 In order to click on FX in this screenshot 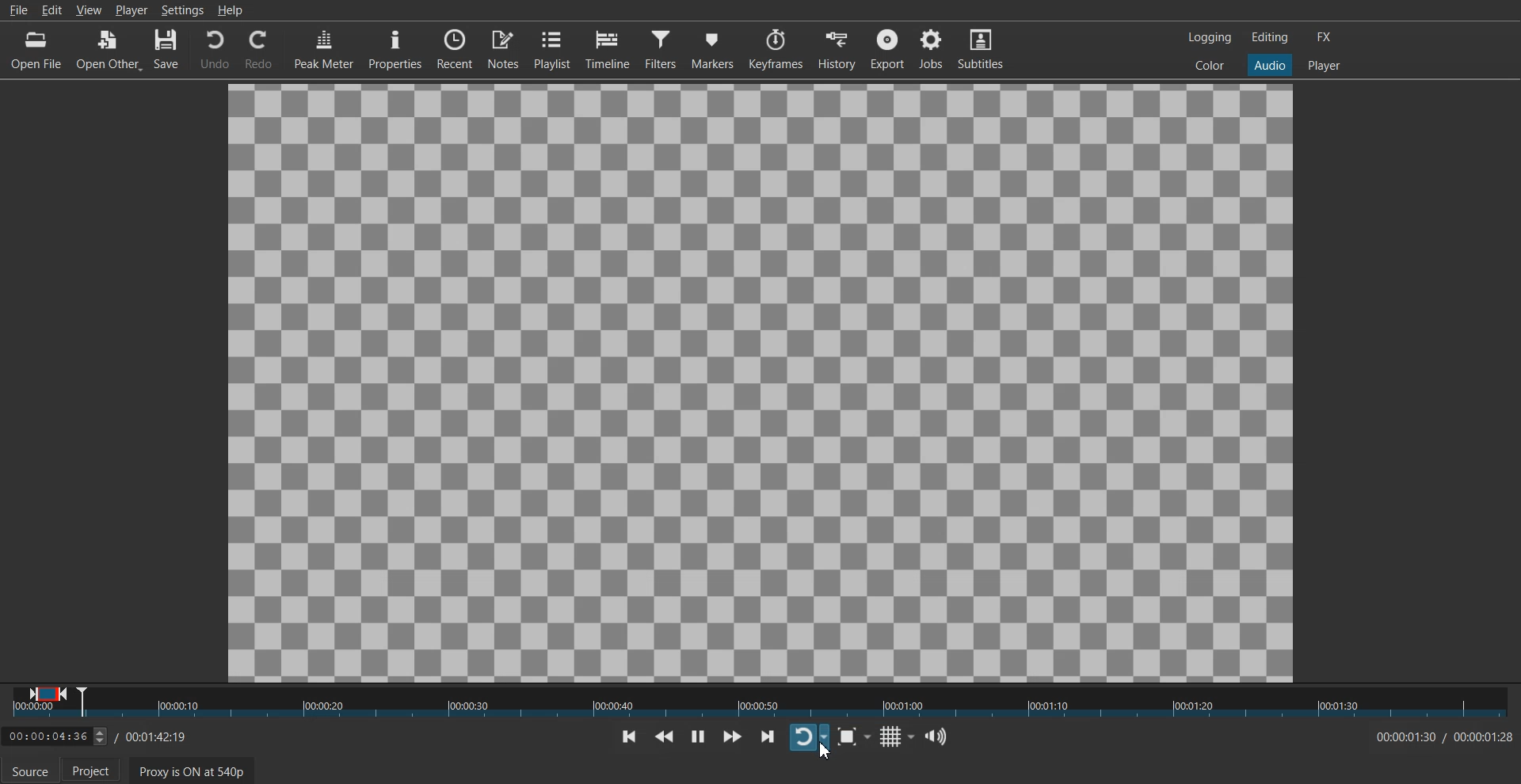, I will do `click(1325, 36)`.